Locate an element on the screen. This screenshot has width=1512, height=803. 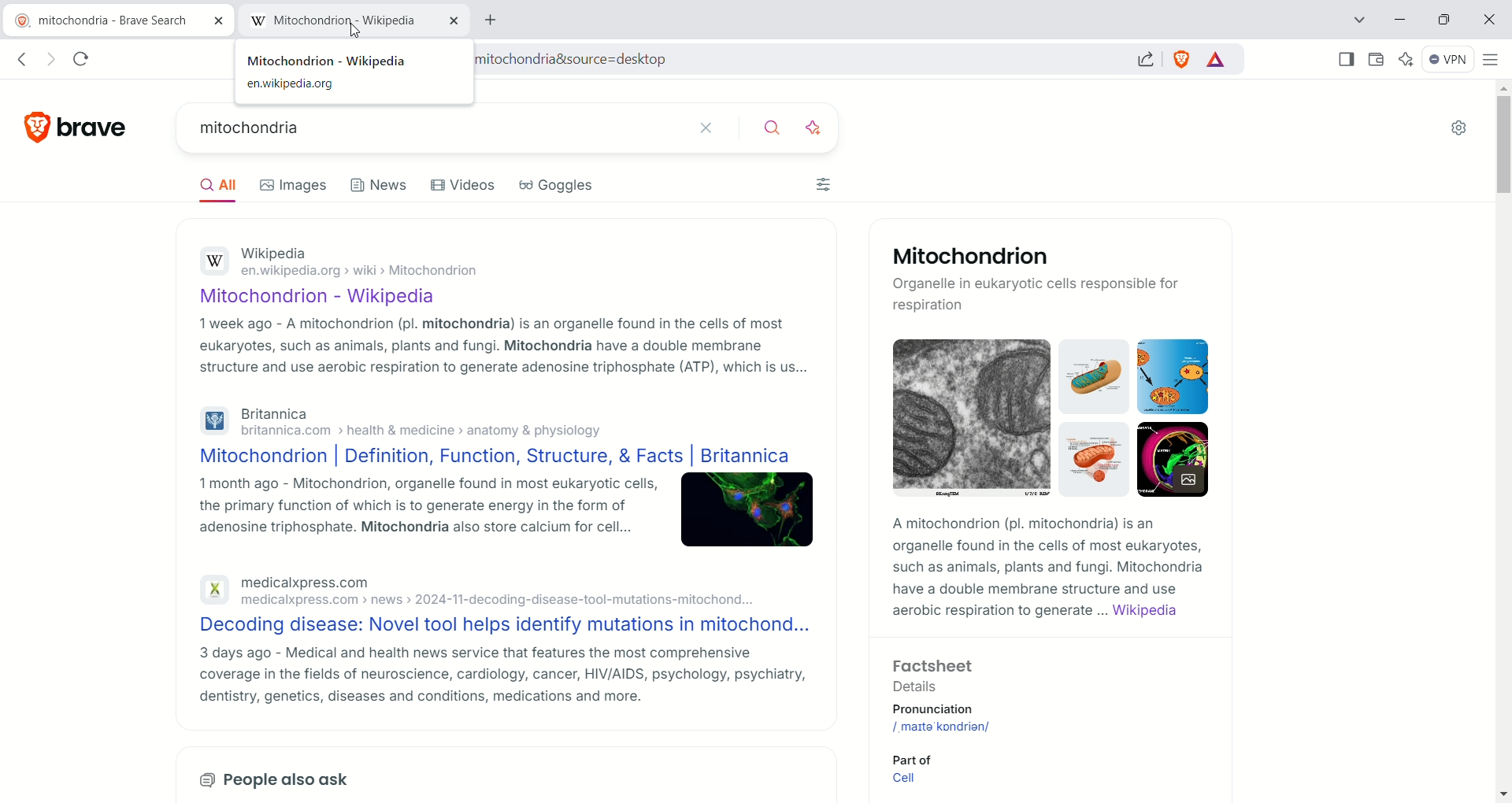
close is located at coordinates (454, 20).